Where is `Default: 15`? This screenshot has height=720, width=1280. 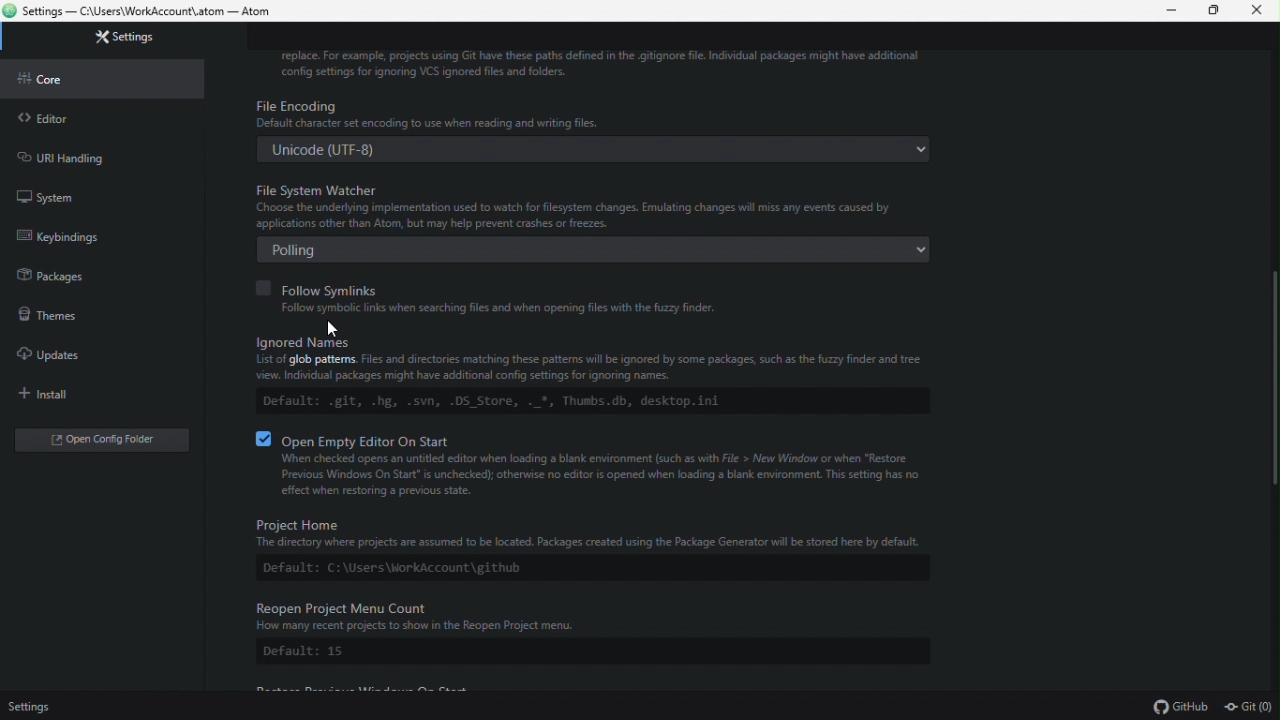 Default: 15 is located at coordinates (321, 652).